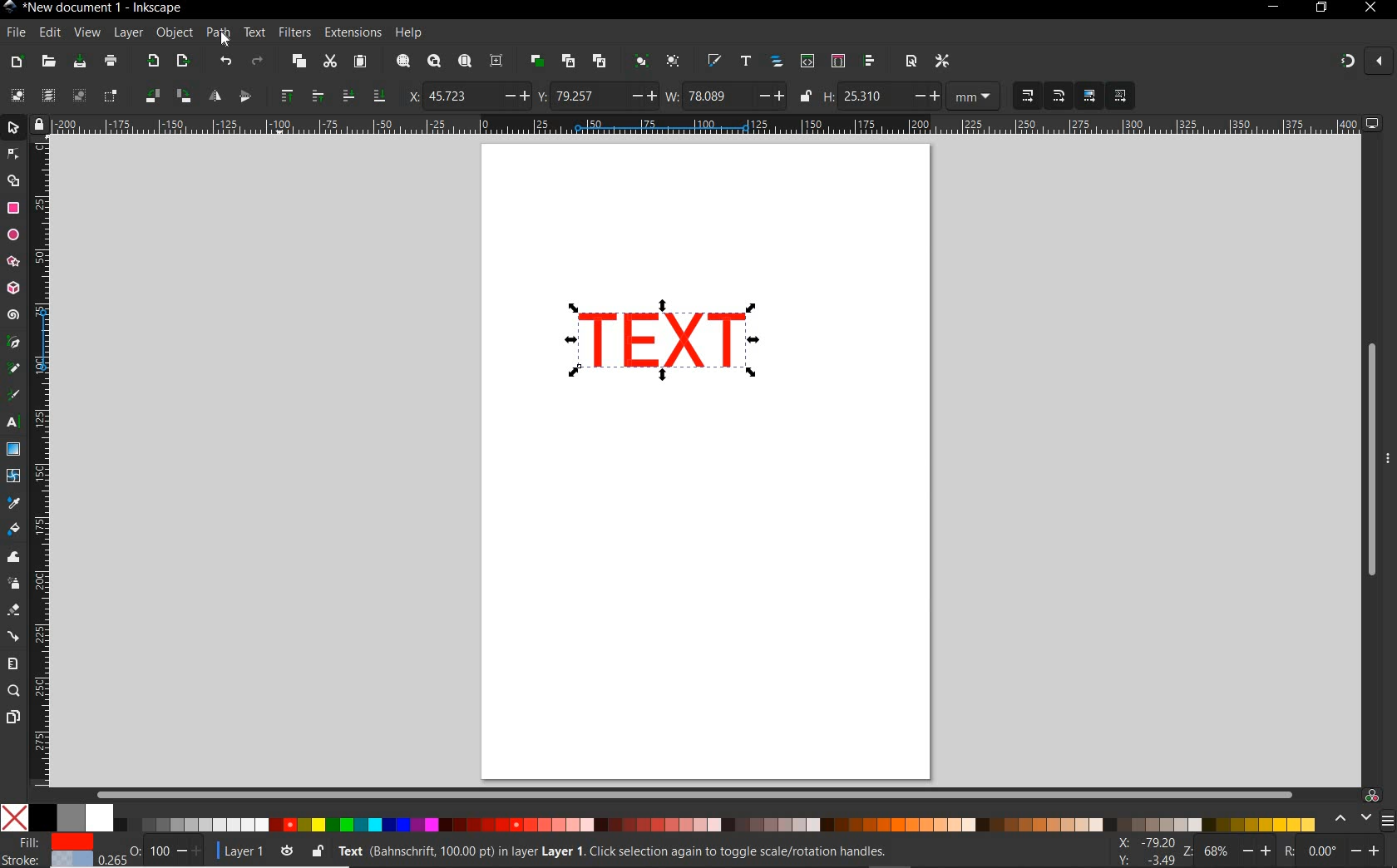 The image size is (1397, 868). Describe the element at coordinates (568, 60) in the screenshot. I see `CREATE CLONE` at that location.